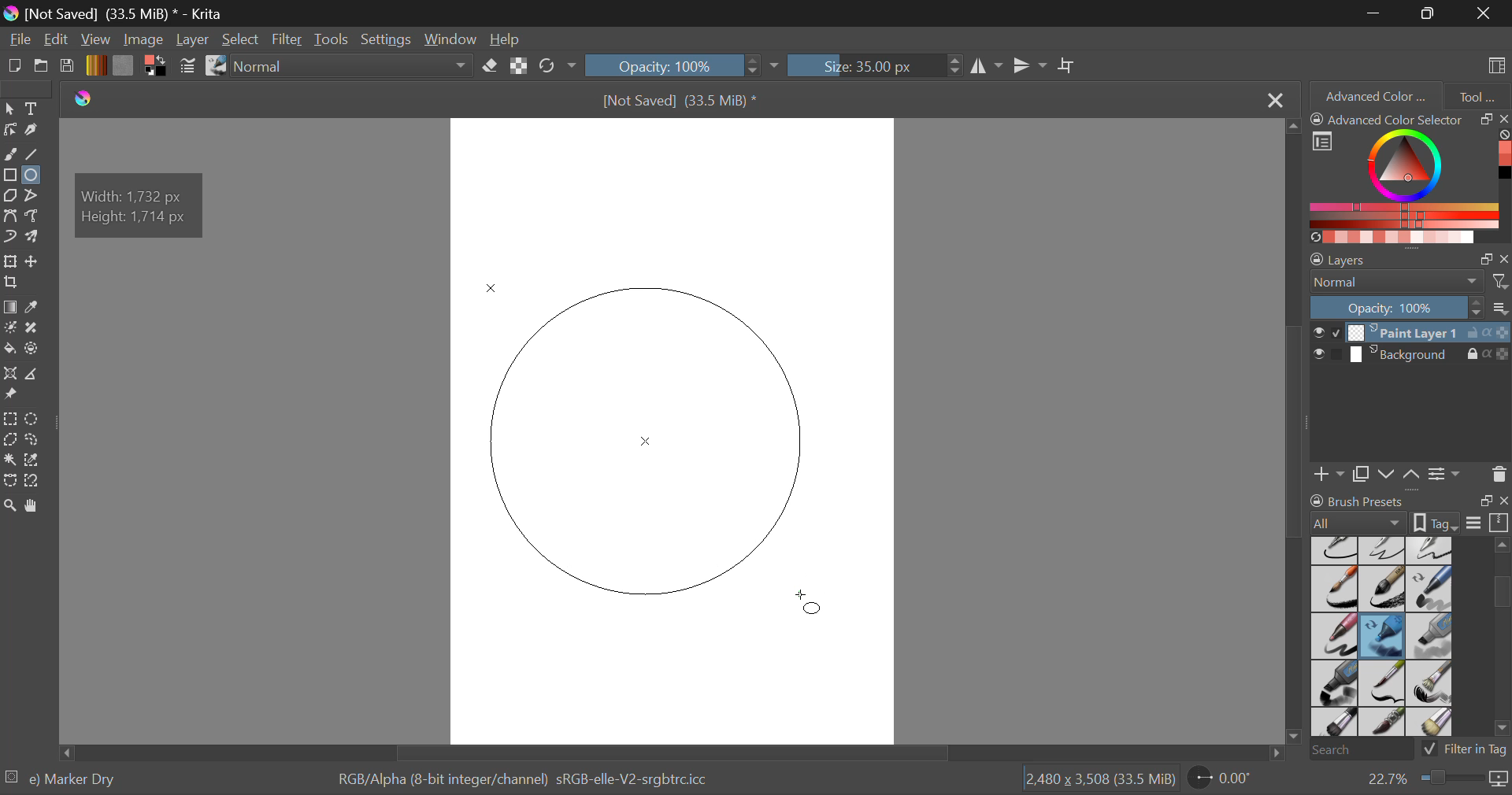 This screenshot has height=795, width=1512. What do you see at coordinates (390, 39) in the screenshot?
I see `Settings` at bounding box center [390, 39].